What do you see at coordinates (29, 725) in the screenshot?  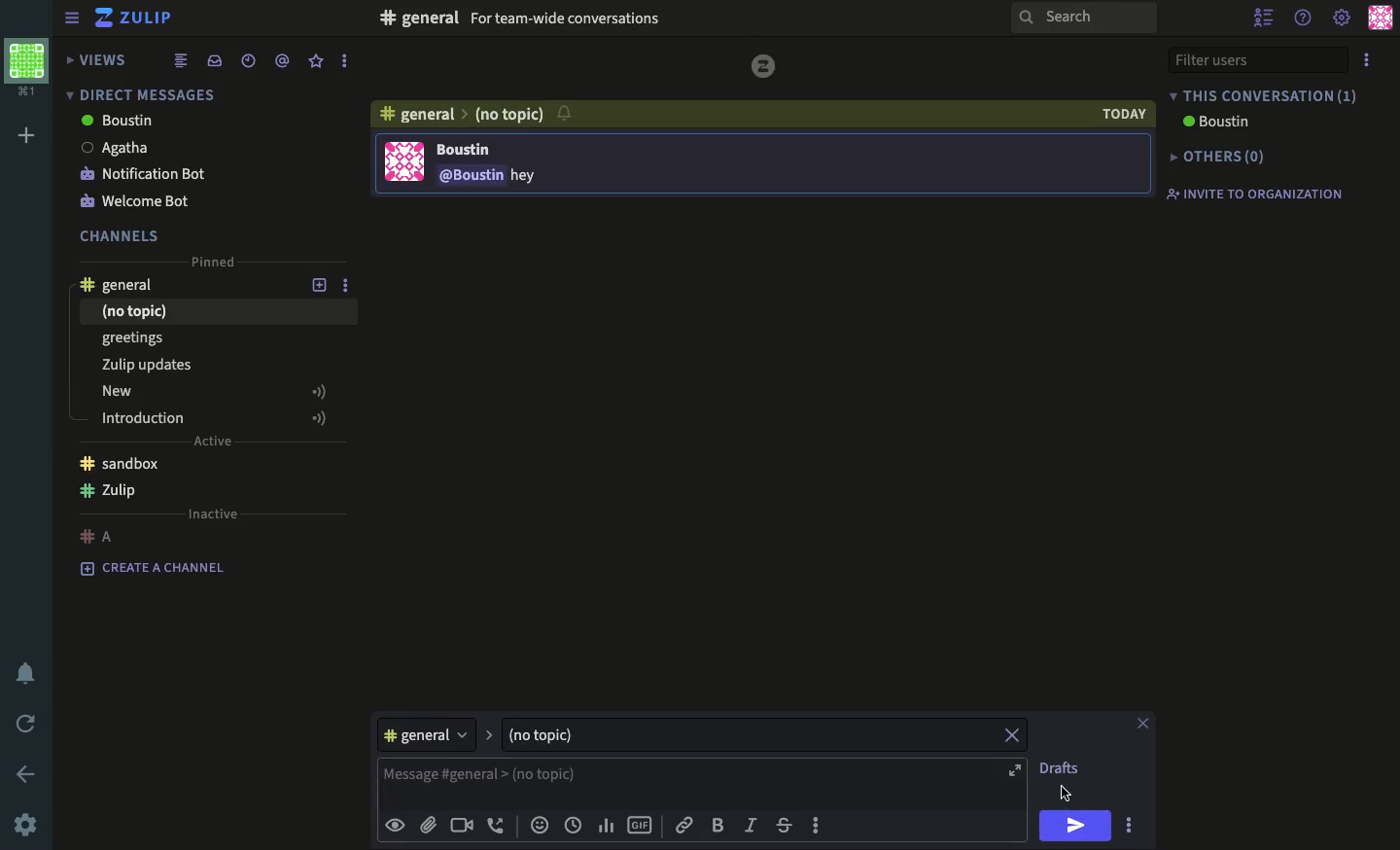 I see `refresh` at bounding box center [29, 725].